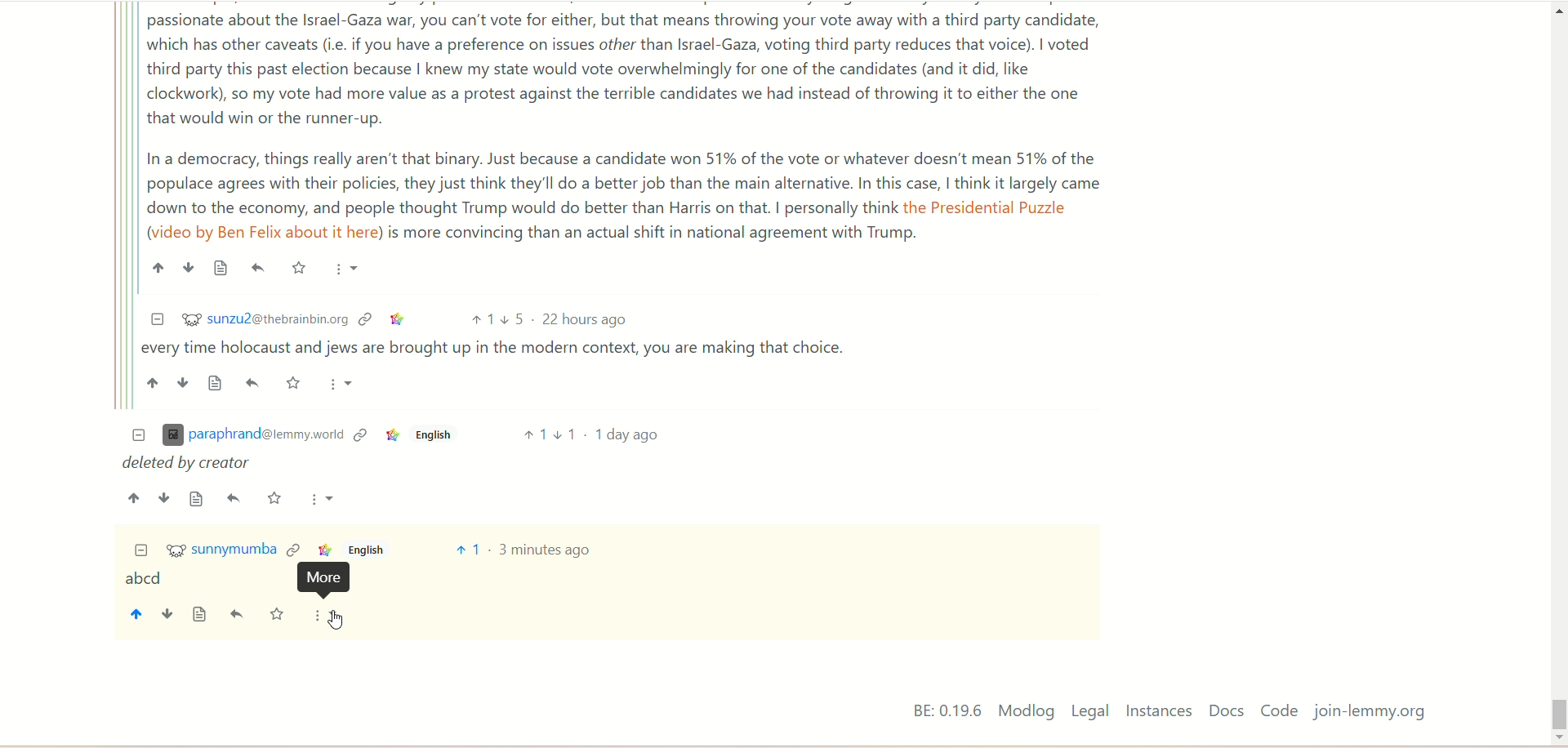  What do you see at coordinates (139, 436) in the screenshot?
I see `Collapse` at bounding box center [139, 436].